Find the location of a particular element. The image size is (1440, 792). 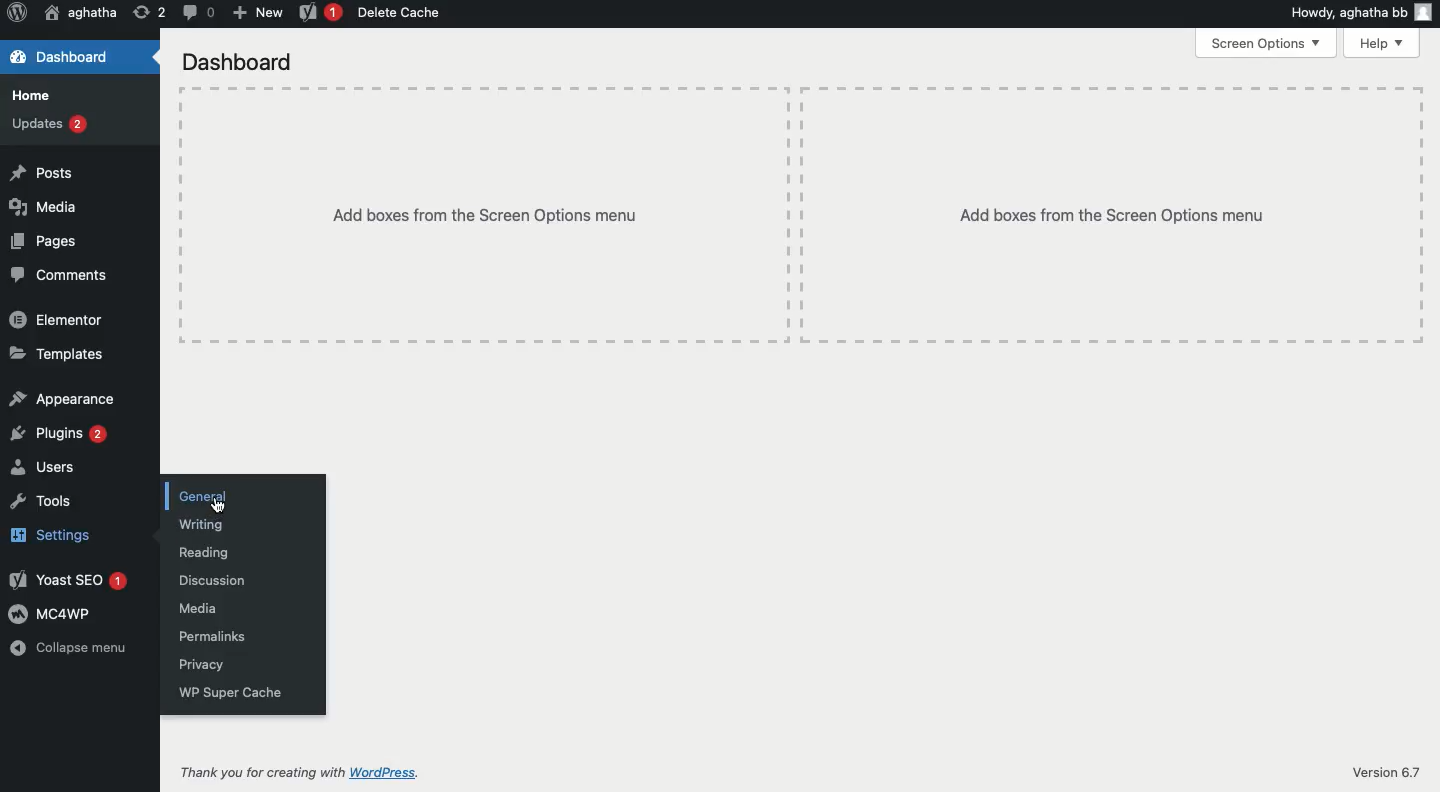

Comment is located at coordinates (195, 12).